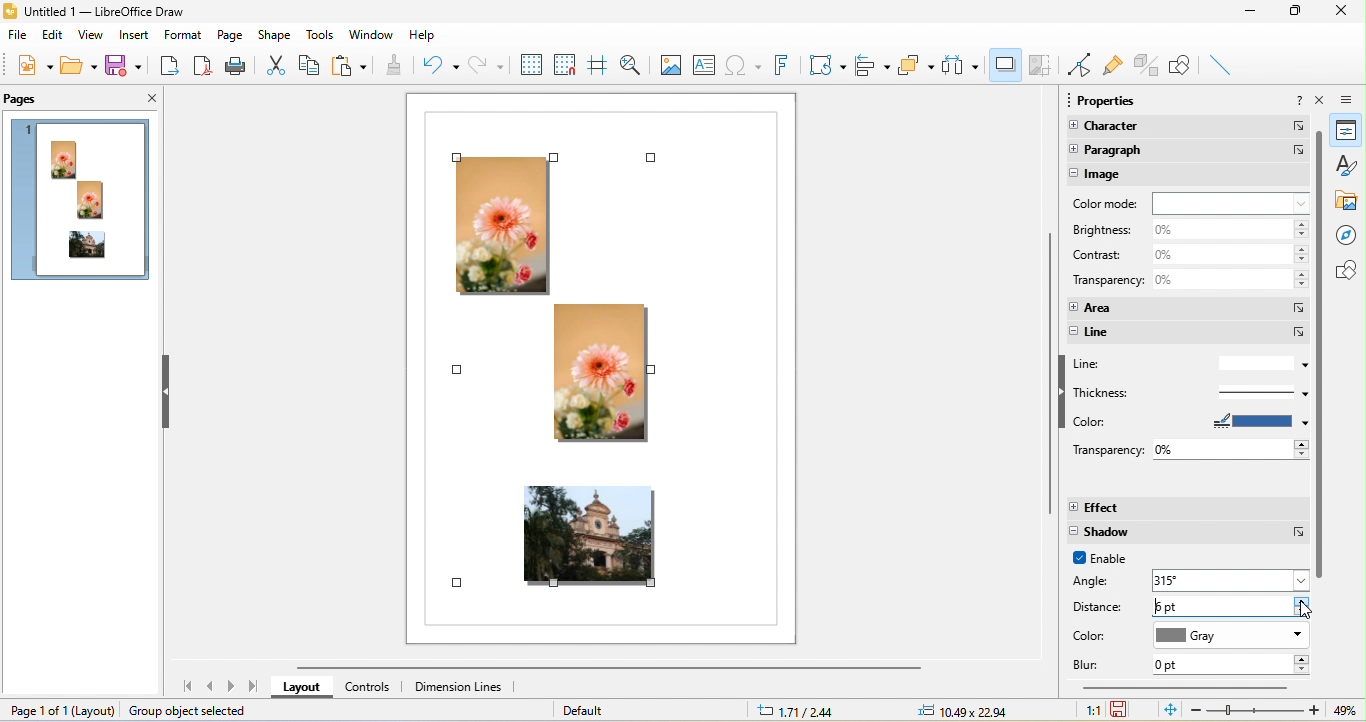 Image resolution: width=1366 pixels, height=722 pixels. Describe the element at coordinates (320, 35) in the screenshot. I see `tools` at that location.